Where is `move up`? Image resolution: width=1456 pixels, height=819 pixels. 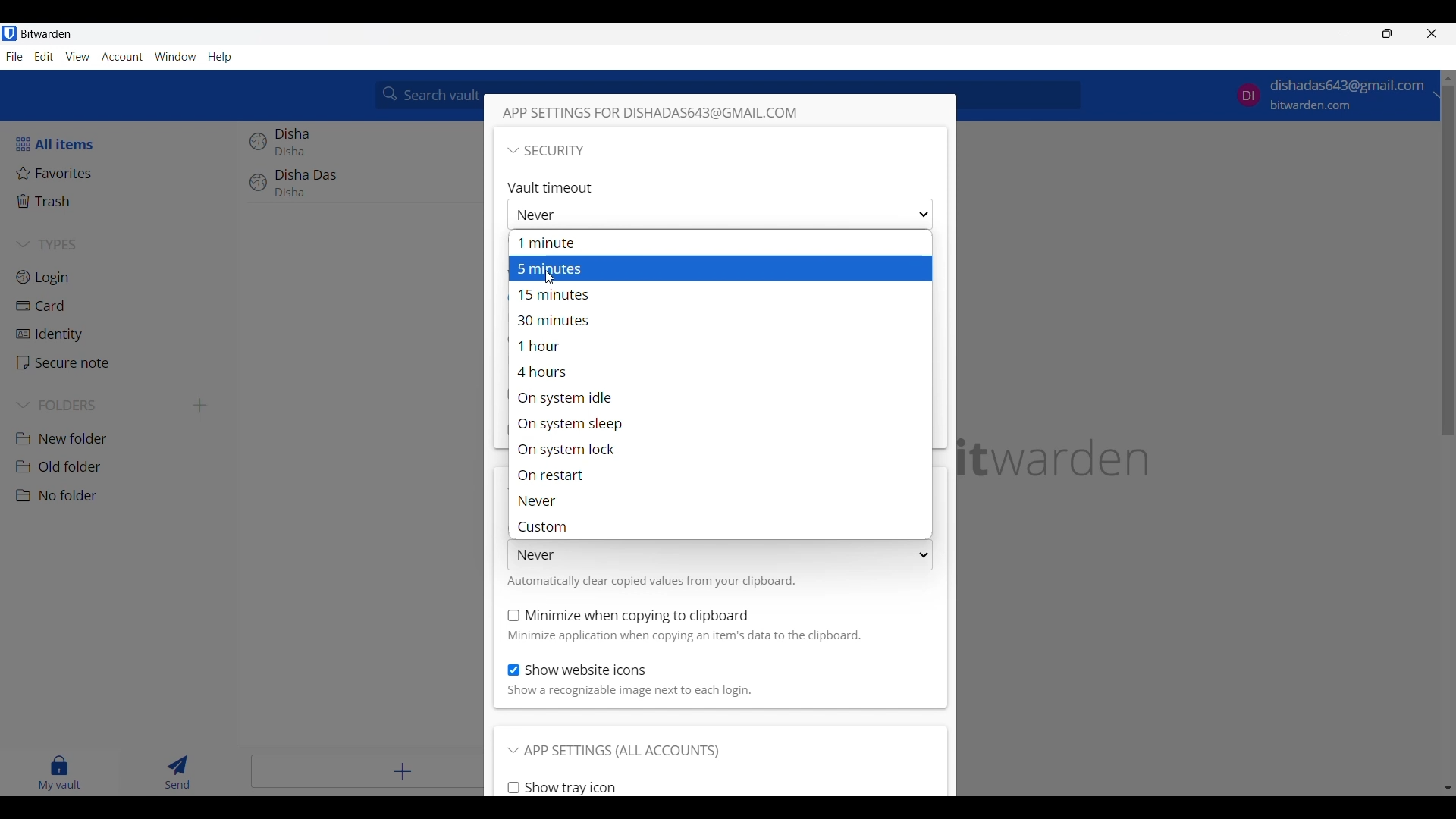 move up is located at coordinates (1447, 78).